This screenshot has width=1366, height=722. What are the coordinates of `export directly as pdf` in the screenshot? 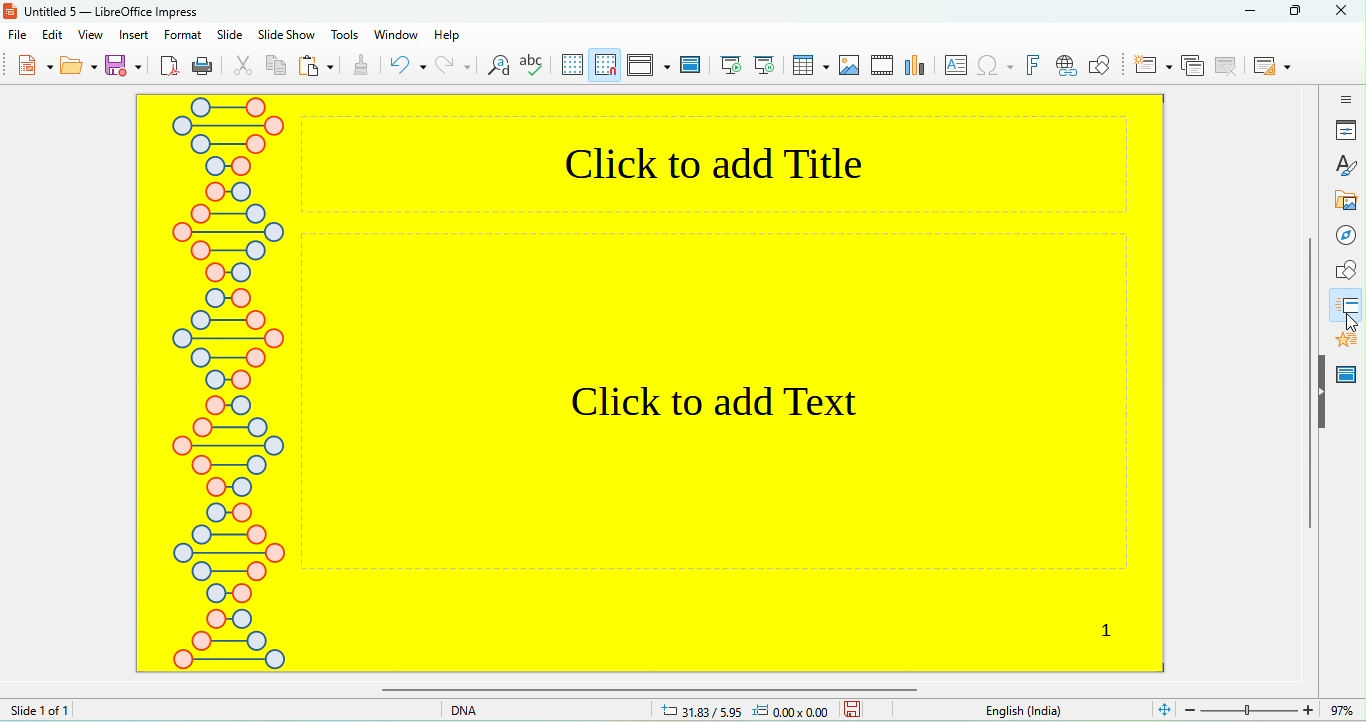 It's located at (170, 68).